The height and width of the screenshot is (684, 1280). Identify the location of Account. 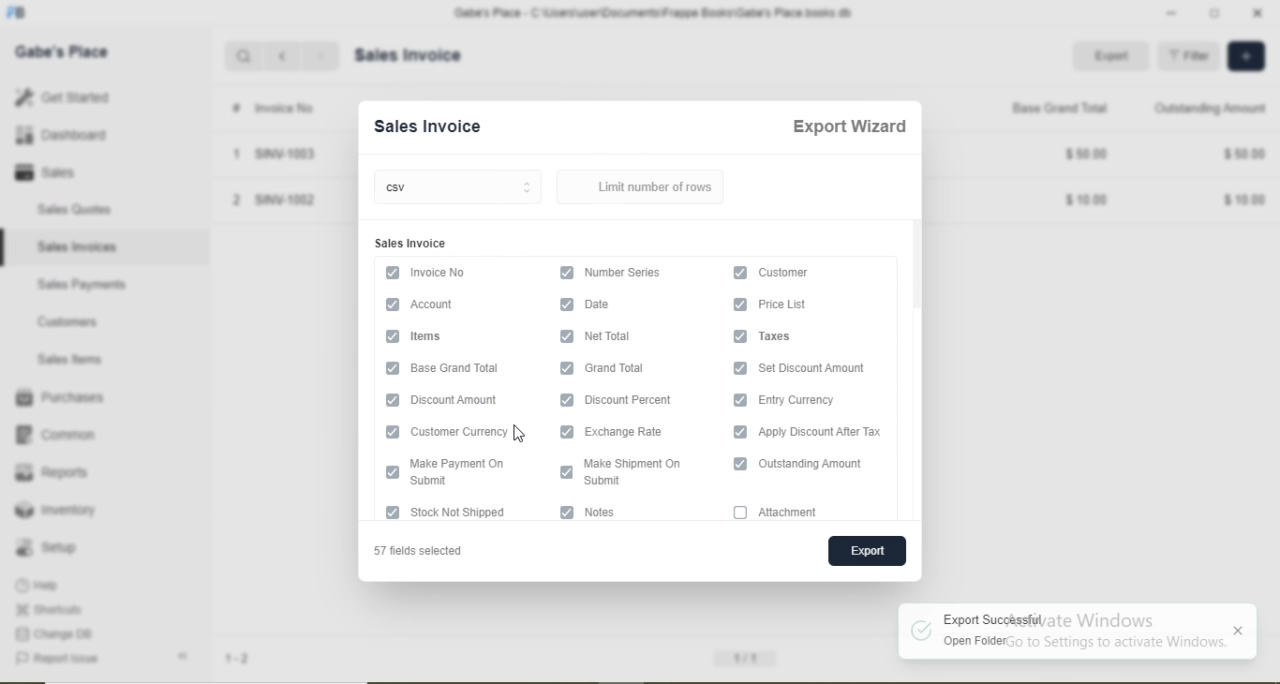
(431, 303).